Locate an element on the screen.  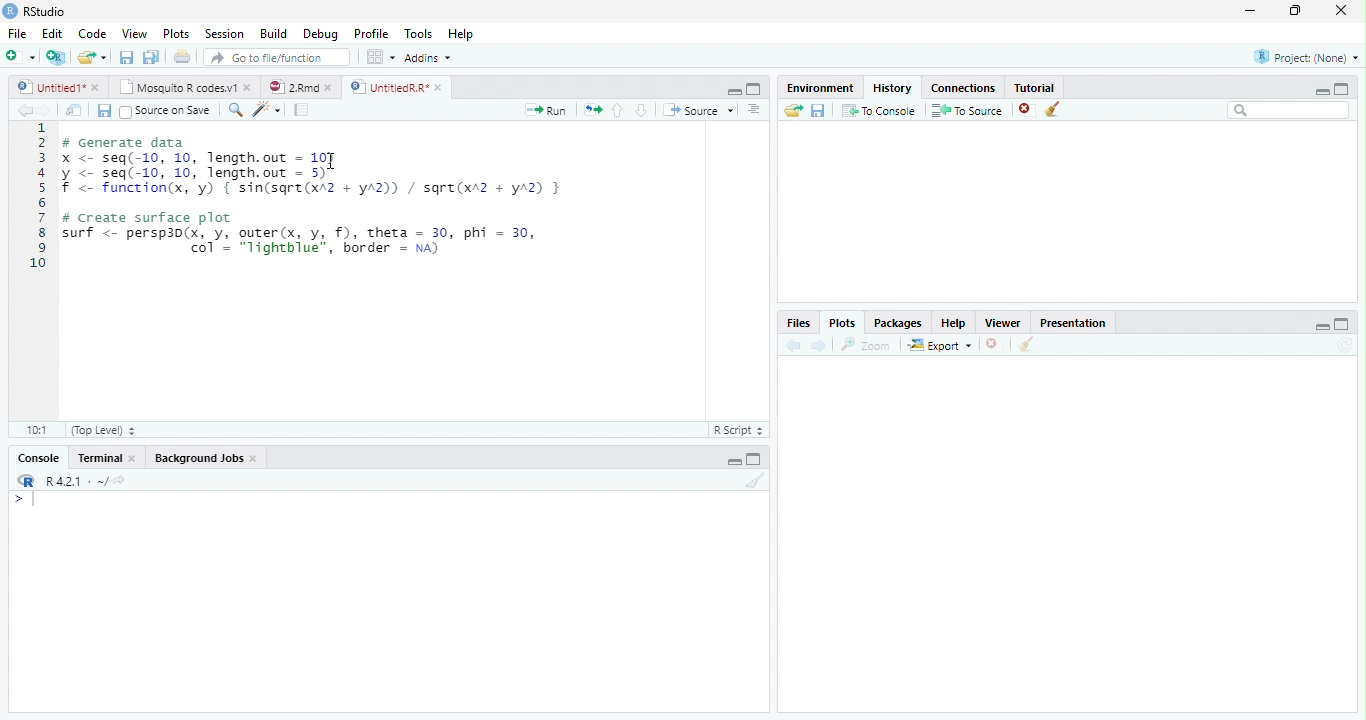
maximize is located at coordinates (1342, 89).